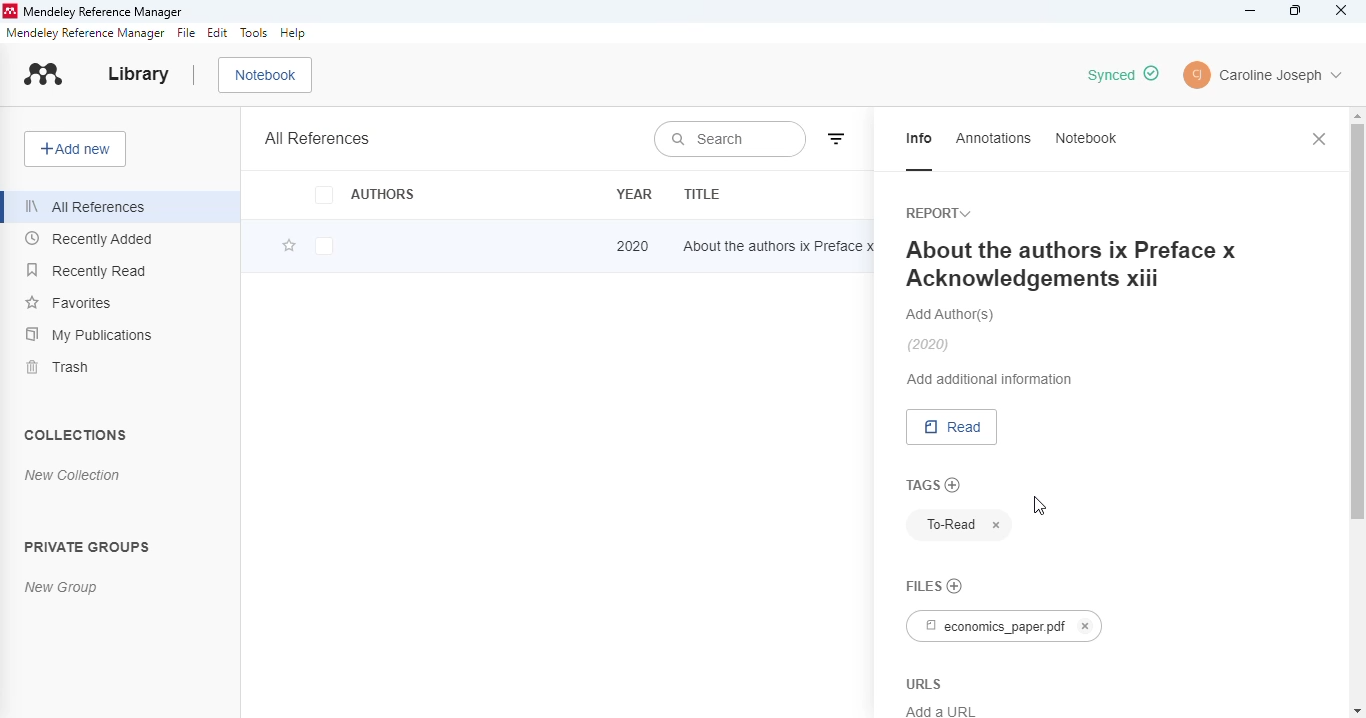 This screenshot has width=1366, height=718. I want to click on cancel, so click(997, 525).